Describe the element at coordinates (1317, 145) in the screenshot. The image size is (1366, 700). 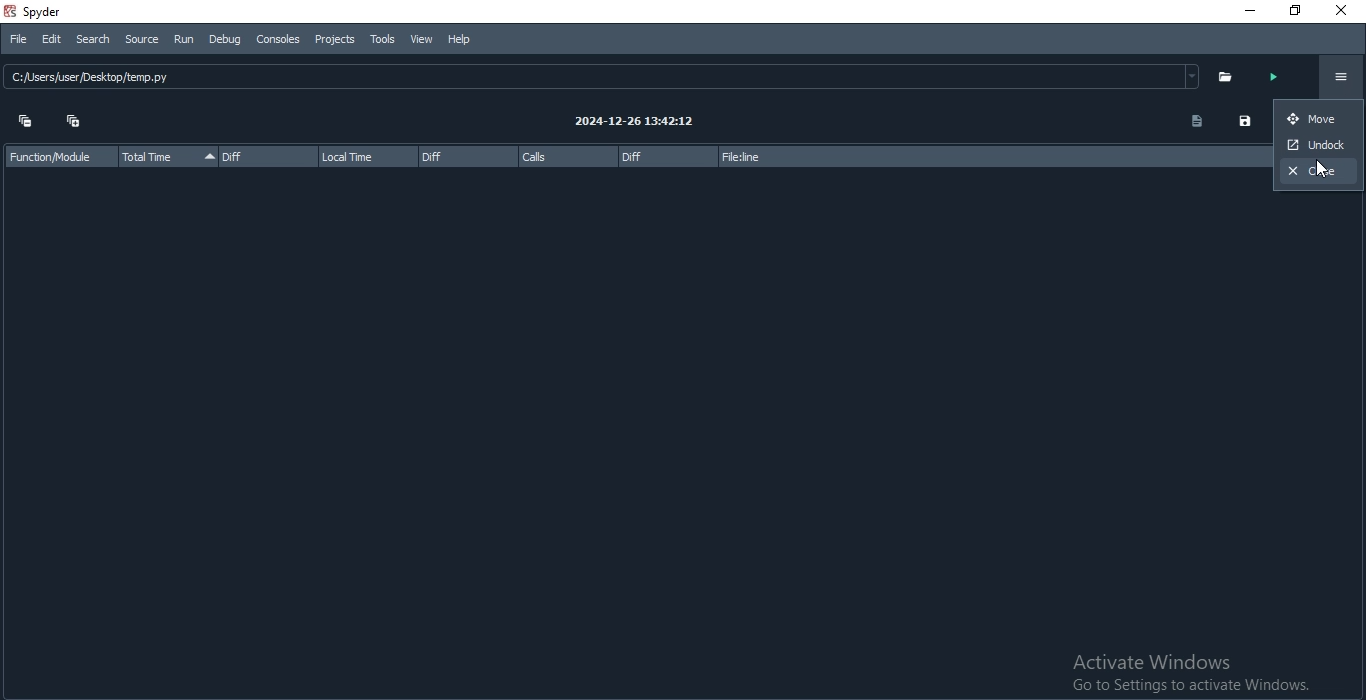
I see `undock` at that location.